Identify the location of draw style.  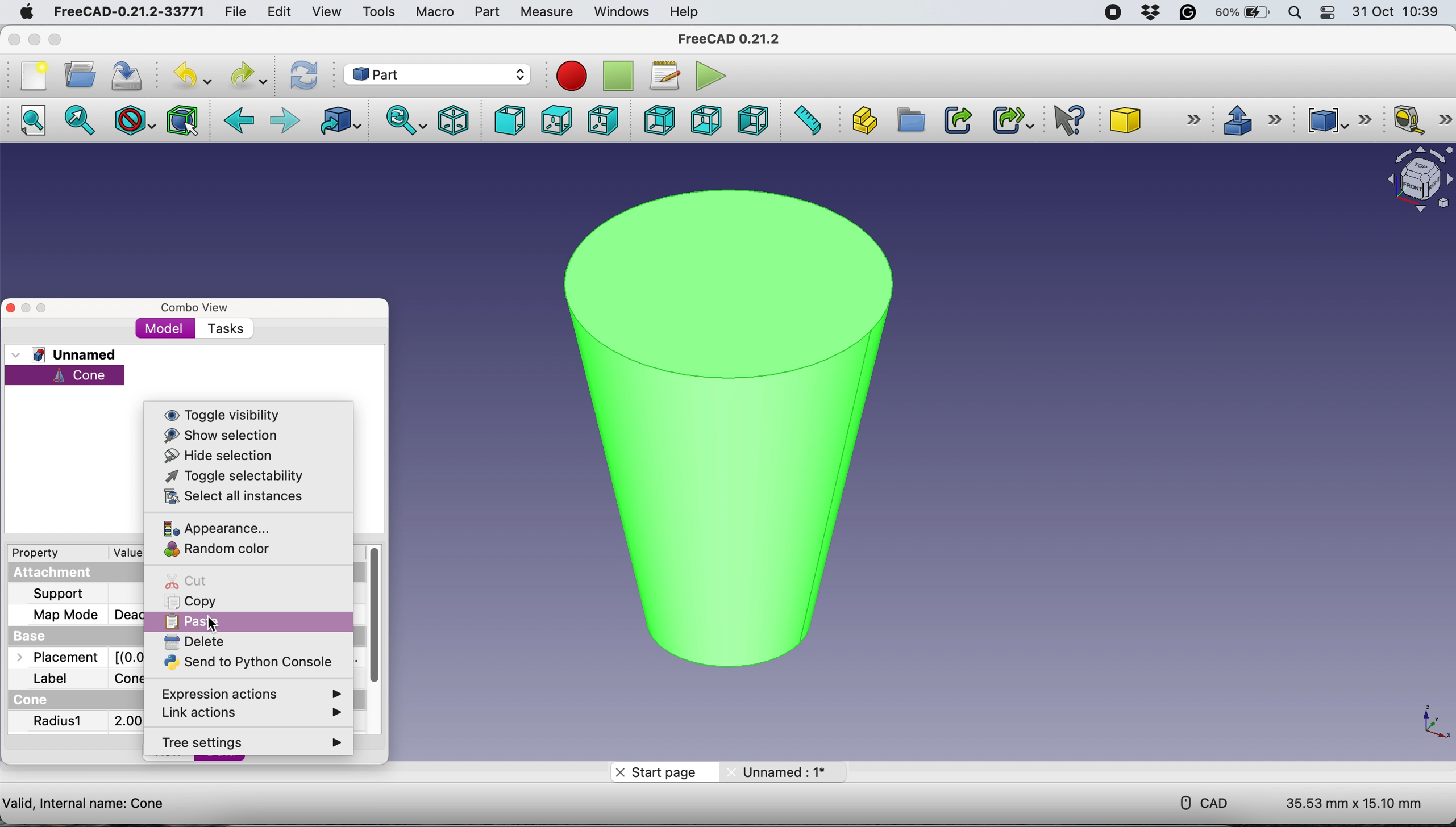
(132, 120).